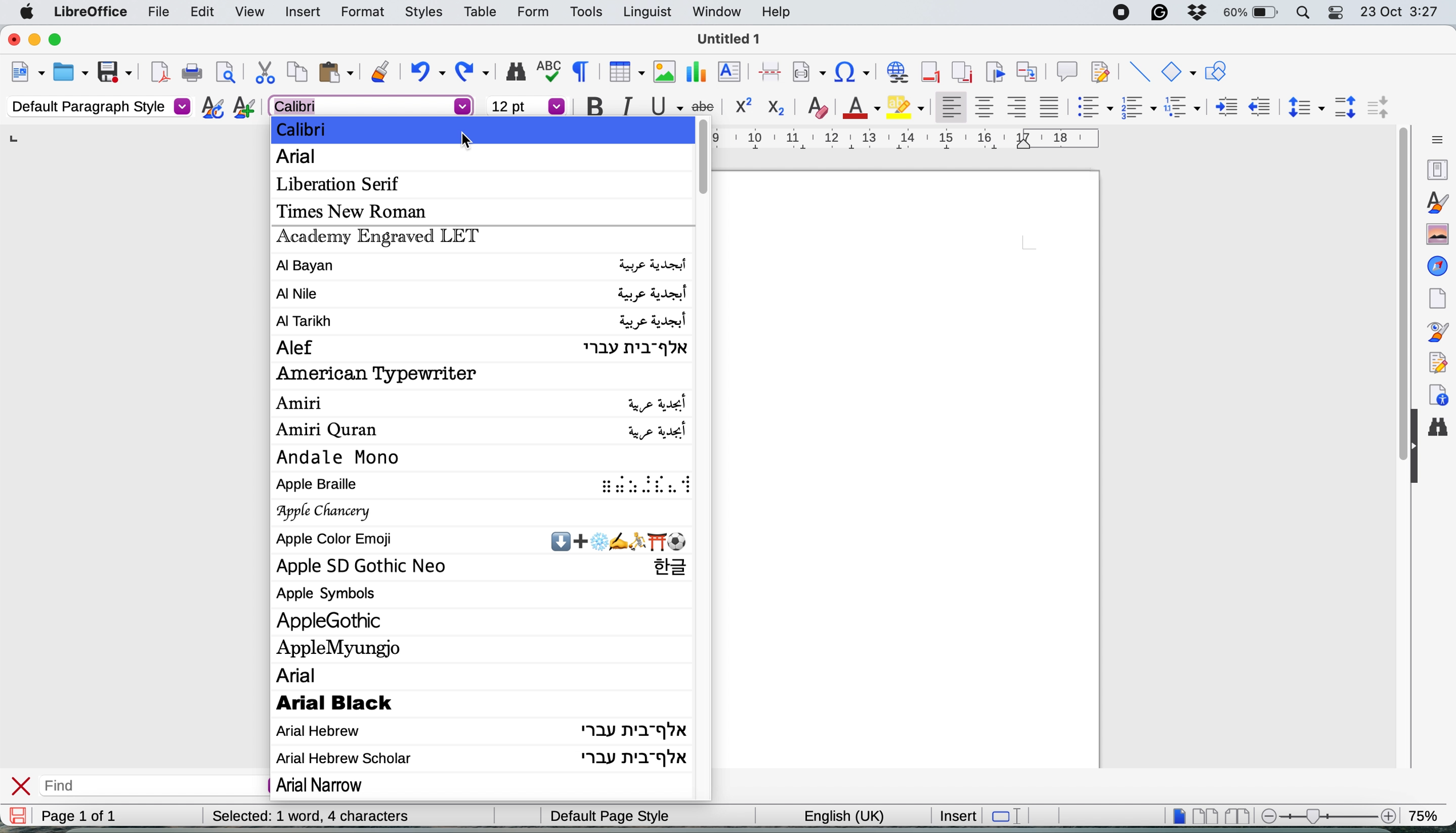 The height and width of the screenshot is (833, 1456). What do you see at coordinates (707, 105) in the screenshot?
I see `strikethrough` at bounding box center [707, 105].